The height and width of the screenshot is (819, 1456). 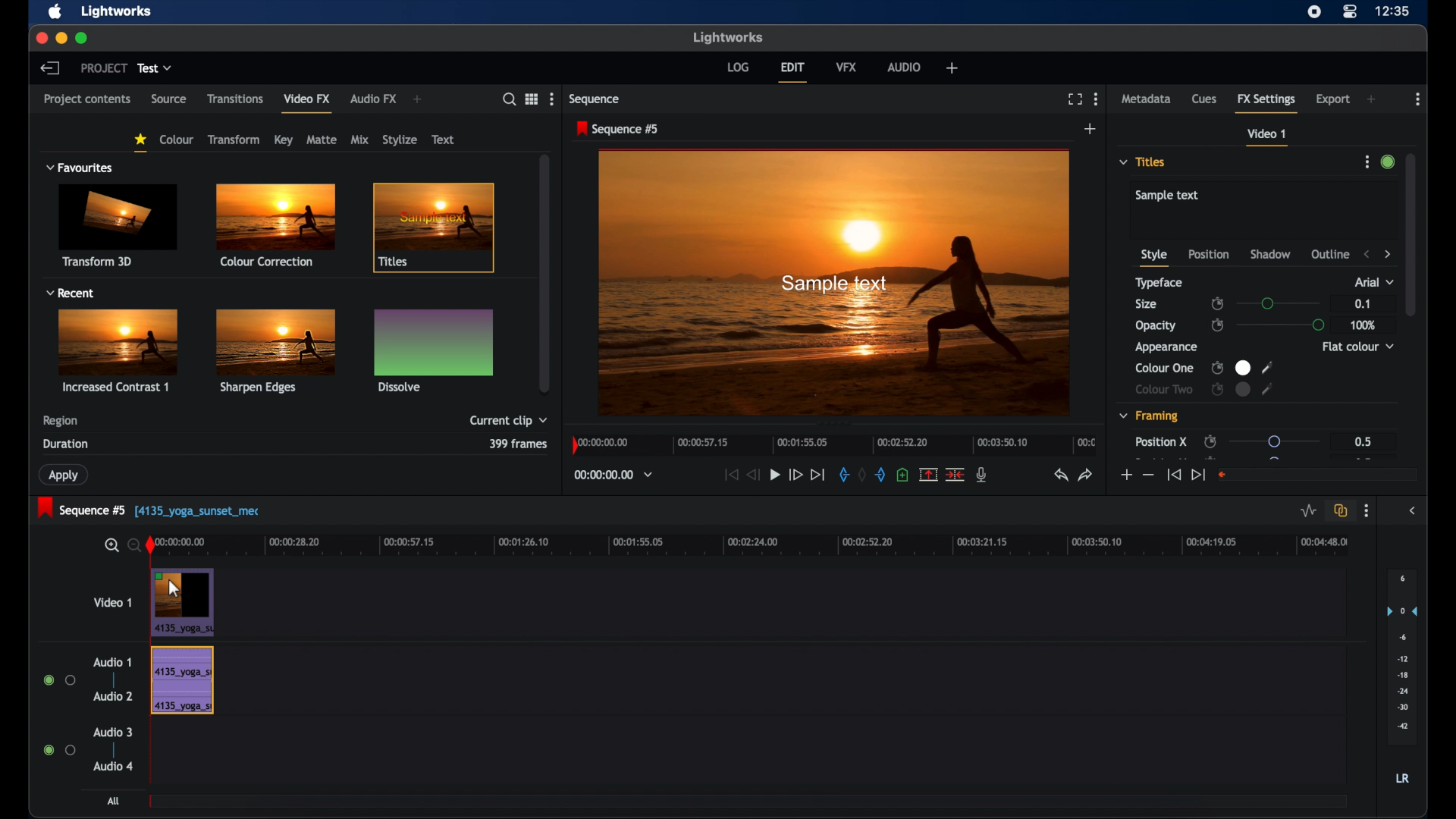 I want to click on increased contrast1, so click(x=121, y=350).